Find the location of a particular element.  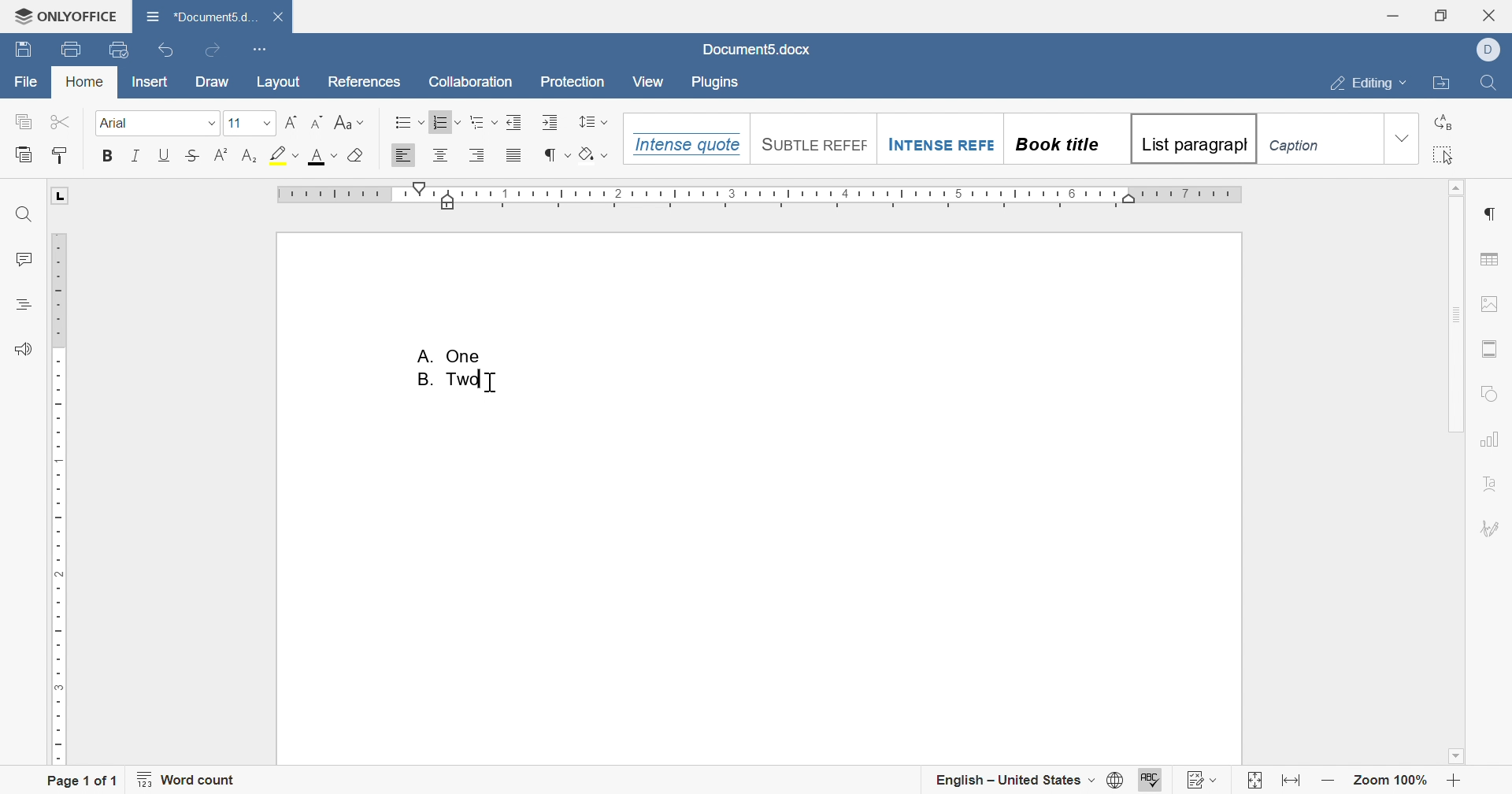

layout is located at coordinates (282, 84).